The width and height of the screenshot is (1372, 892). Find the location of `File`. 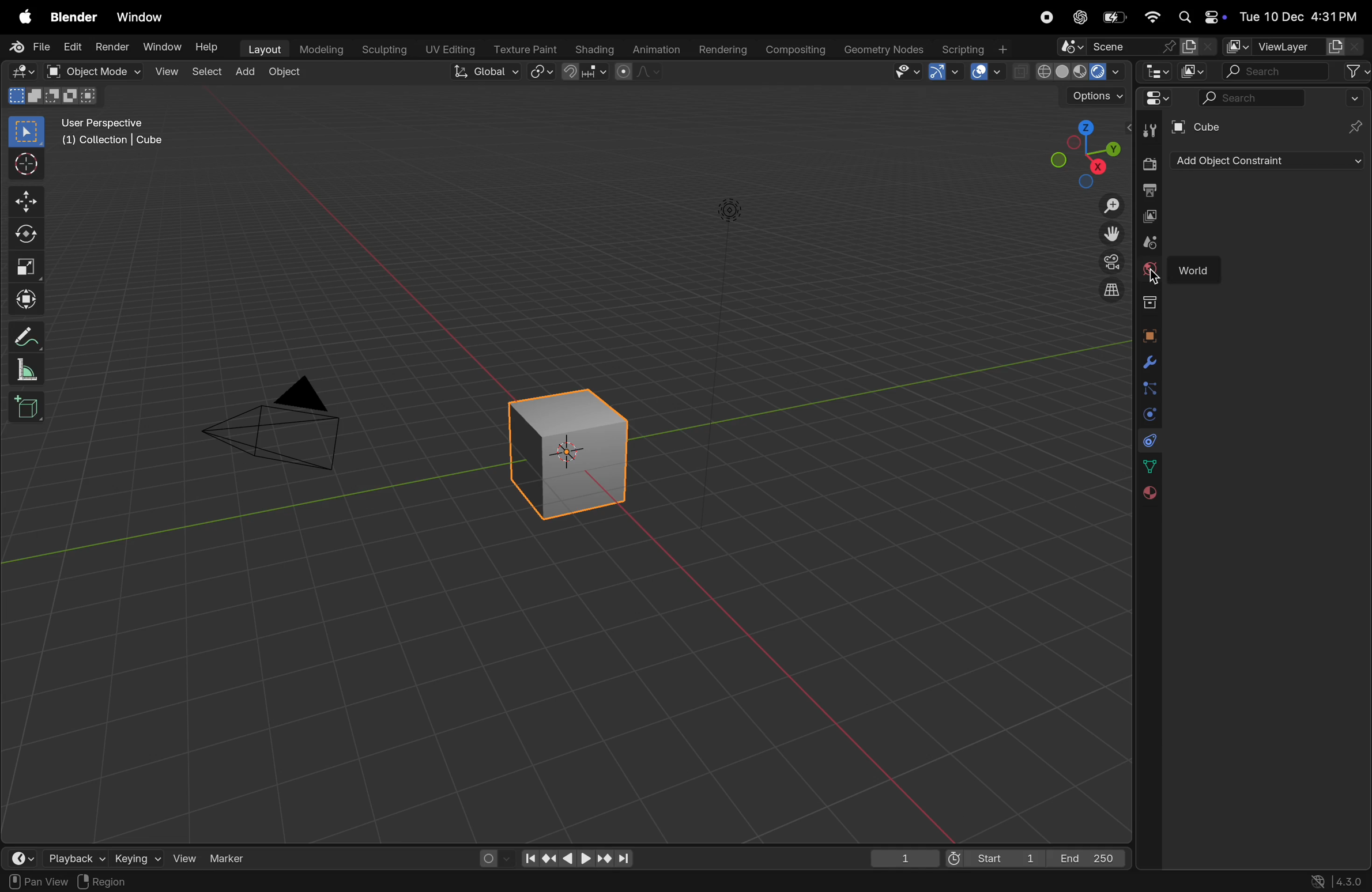

File is located at coordinates (28, 47).